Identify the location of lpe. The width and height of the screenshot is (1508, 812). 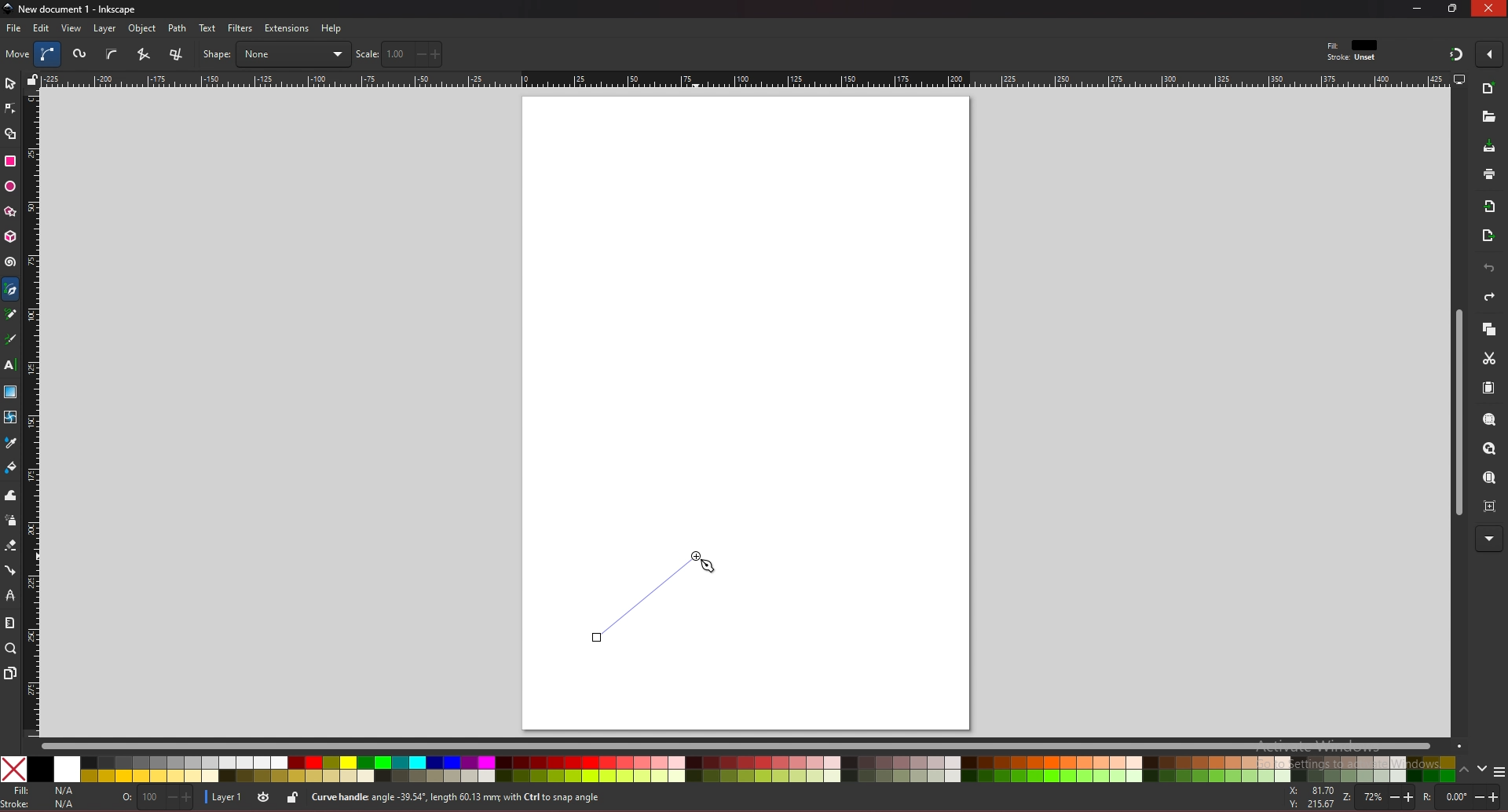
(11, 594).